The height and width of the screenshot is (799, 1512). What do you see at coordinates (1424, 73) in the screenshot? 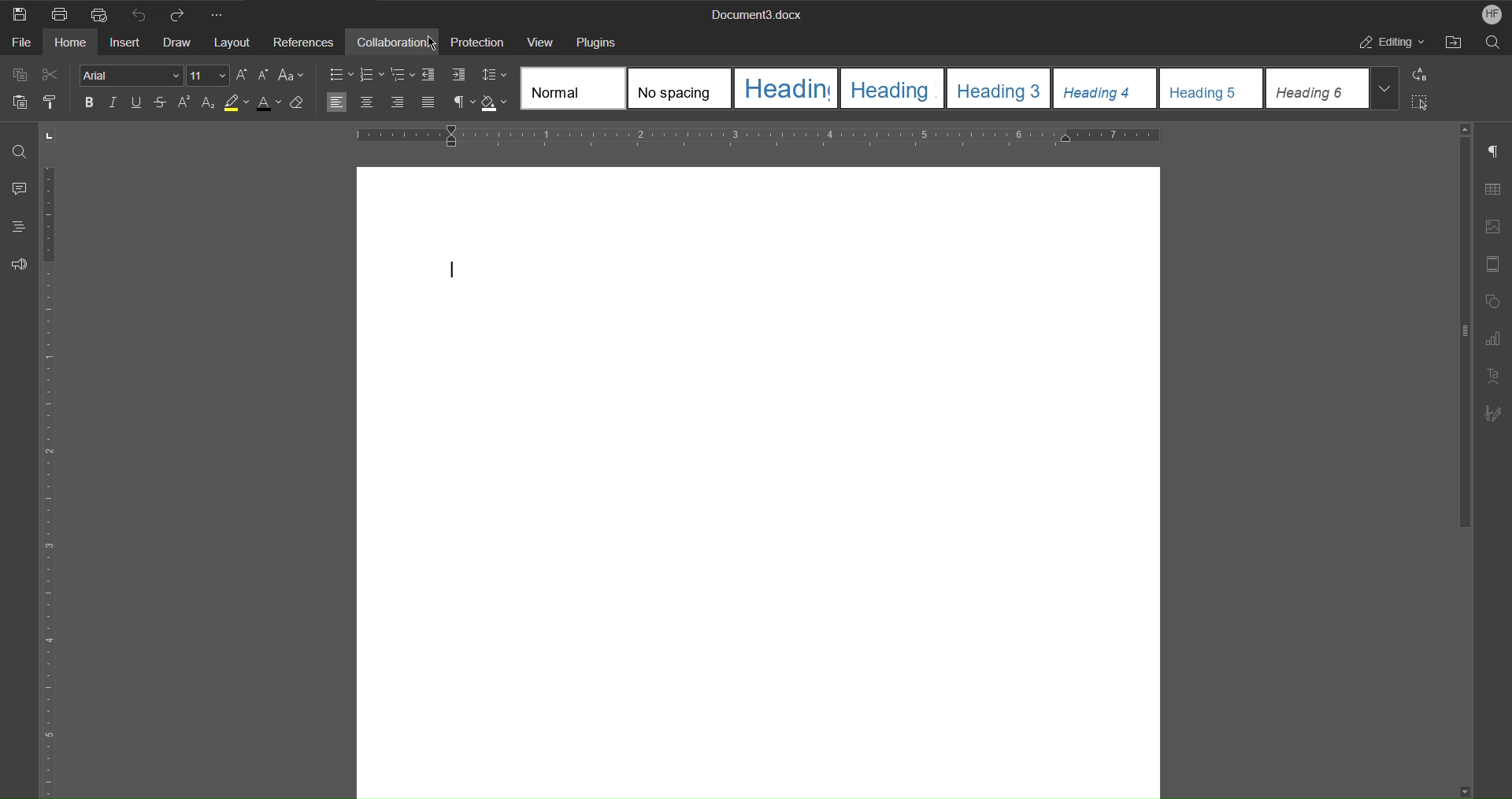
I see `Replace` at bounding box center [1424, 73].